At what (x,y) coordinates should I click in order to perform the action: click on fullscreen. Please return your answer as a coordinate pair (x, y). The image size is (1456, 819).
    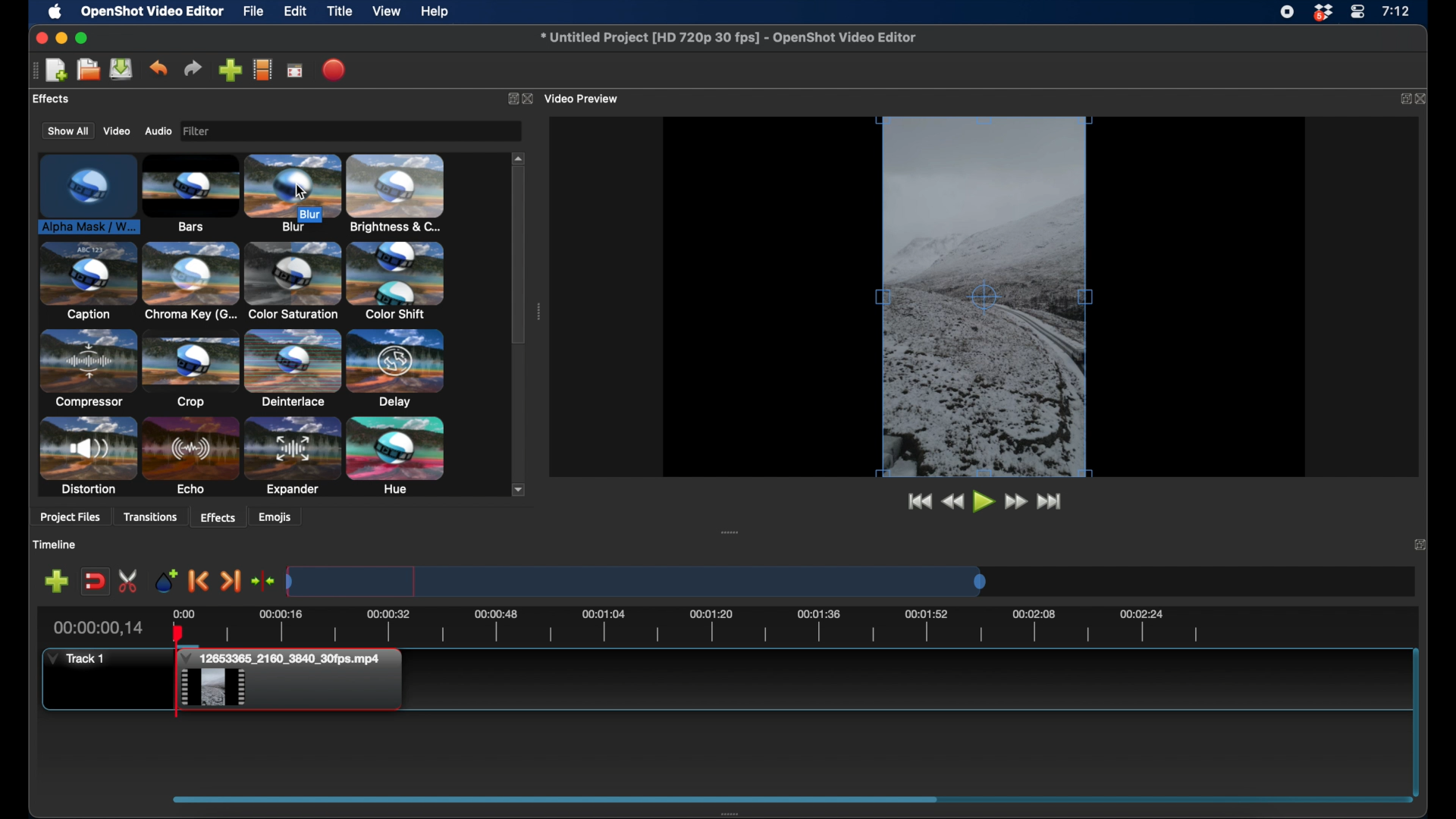
    Looking at the image, I should click on (296, 70).